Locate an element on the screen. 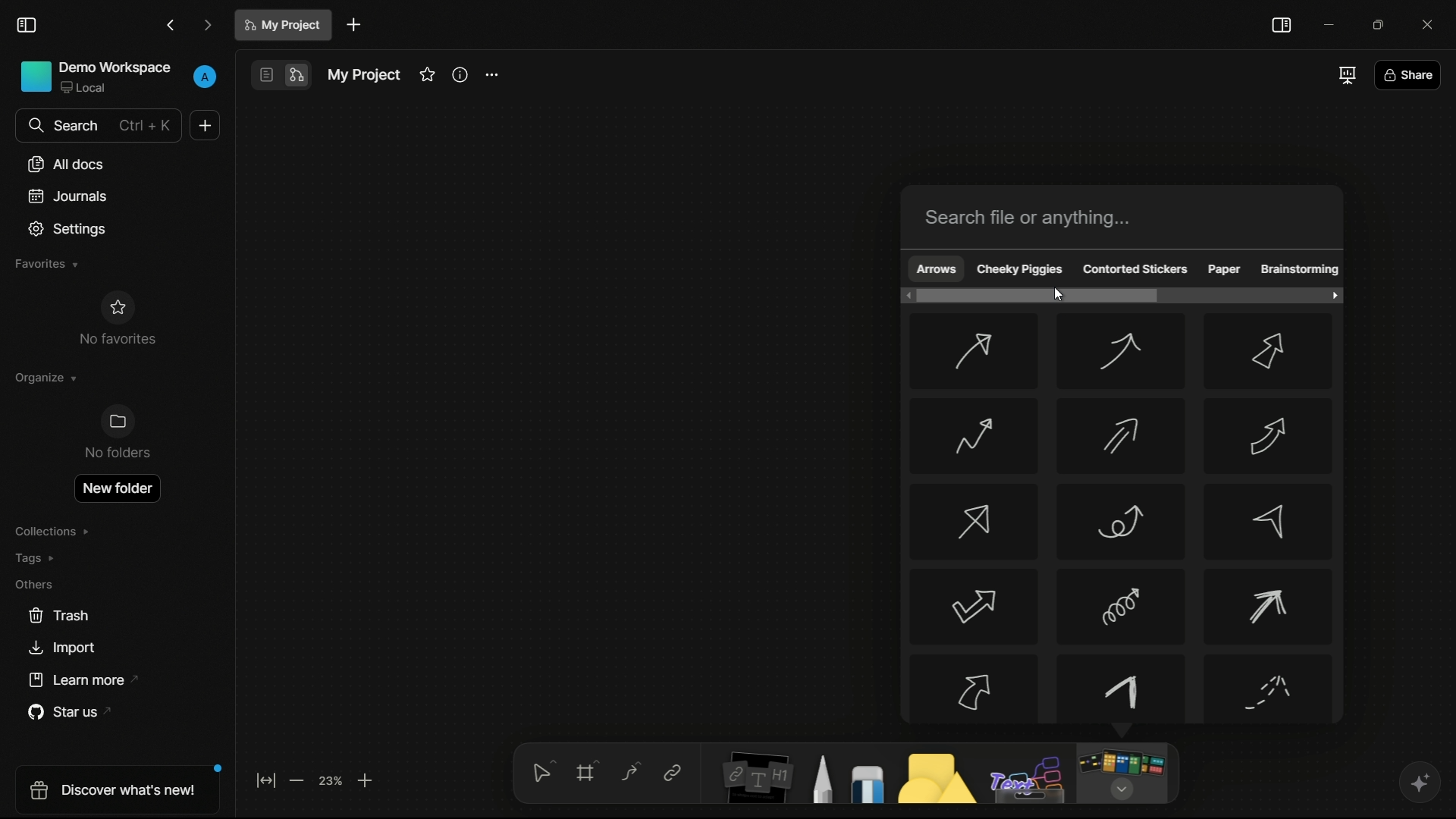 The height and width of the screenshot is (819, 1456). pencil and pen is located at coordinates (821, 778).